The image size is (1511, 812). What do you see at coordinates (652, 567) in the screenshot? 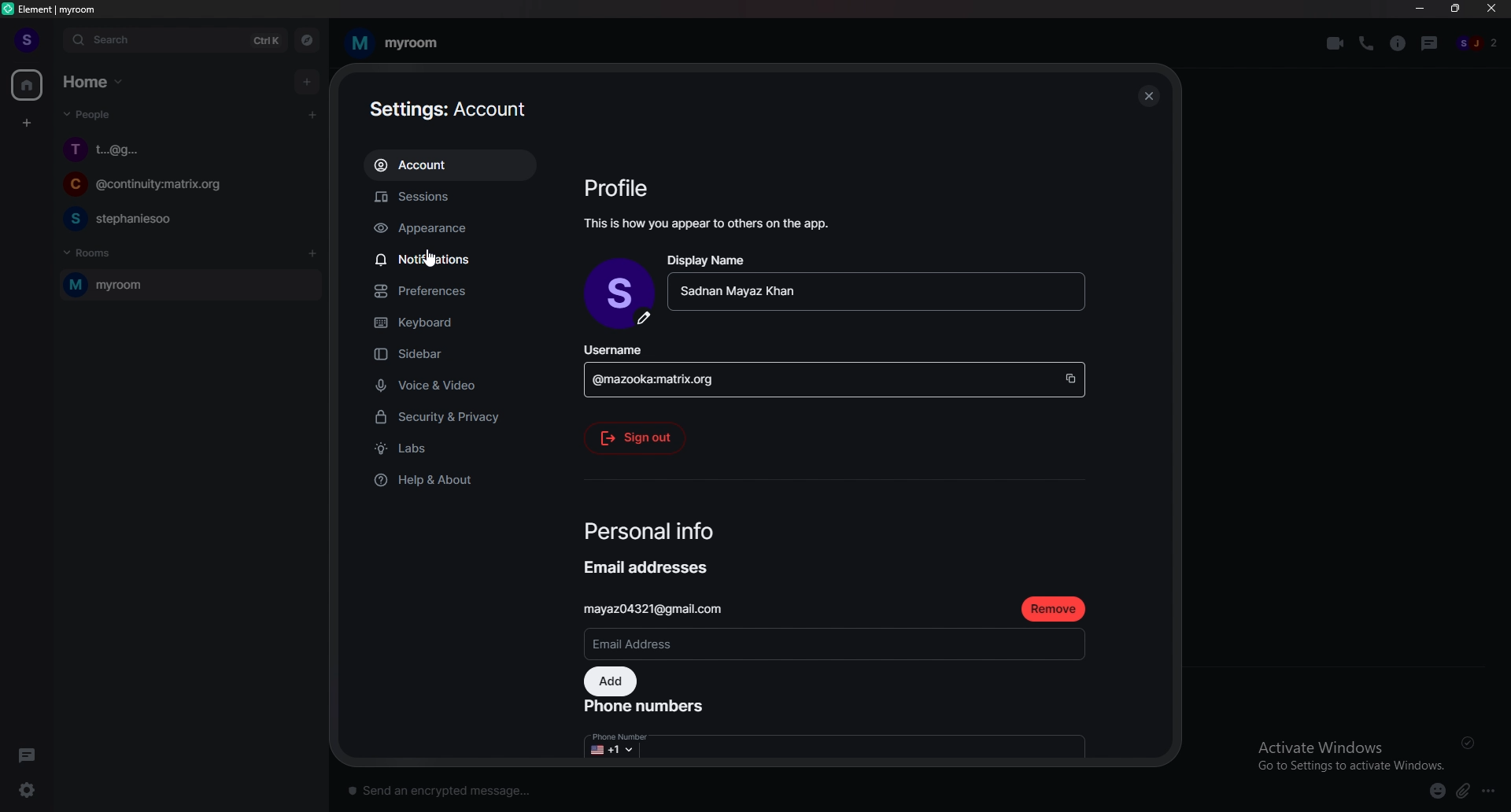
I see `email addresses` at bounding box center [652, 567].